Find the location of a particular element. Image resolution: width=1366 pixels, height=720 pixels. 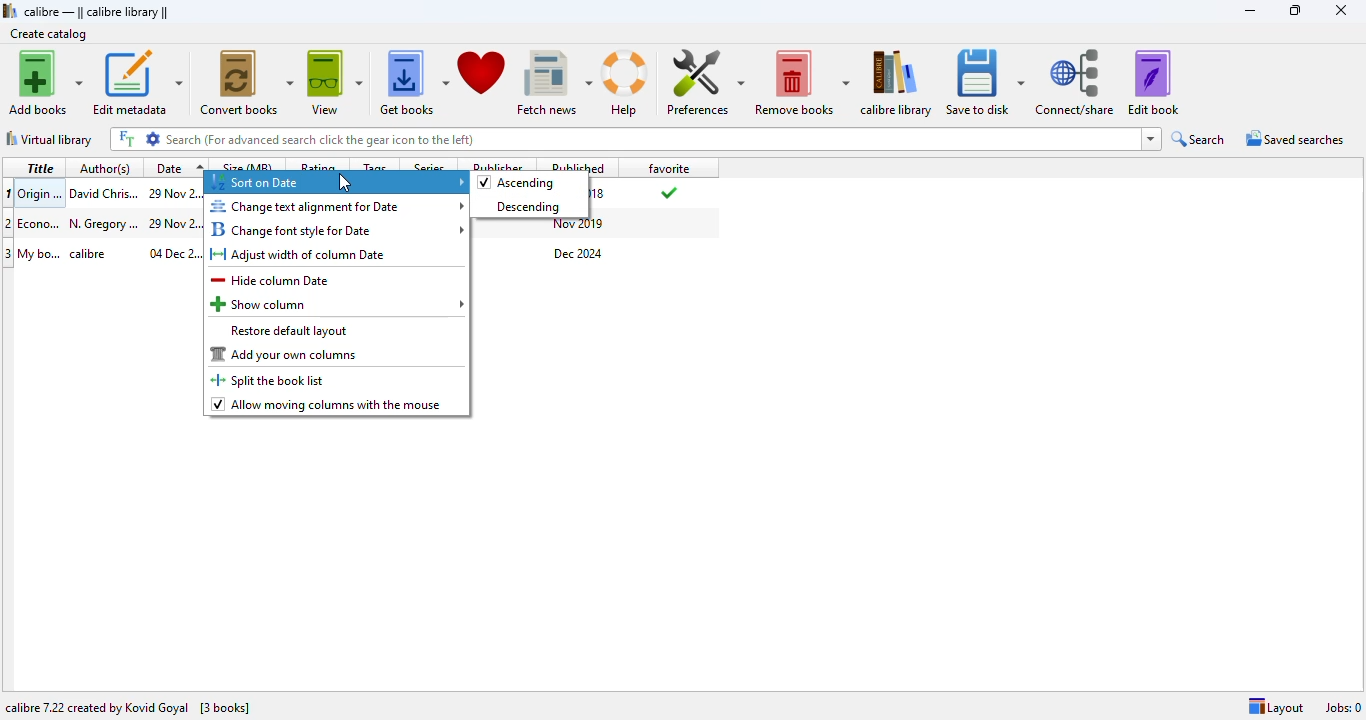

date is located at coordinates (174, 253).